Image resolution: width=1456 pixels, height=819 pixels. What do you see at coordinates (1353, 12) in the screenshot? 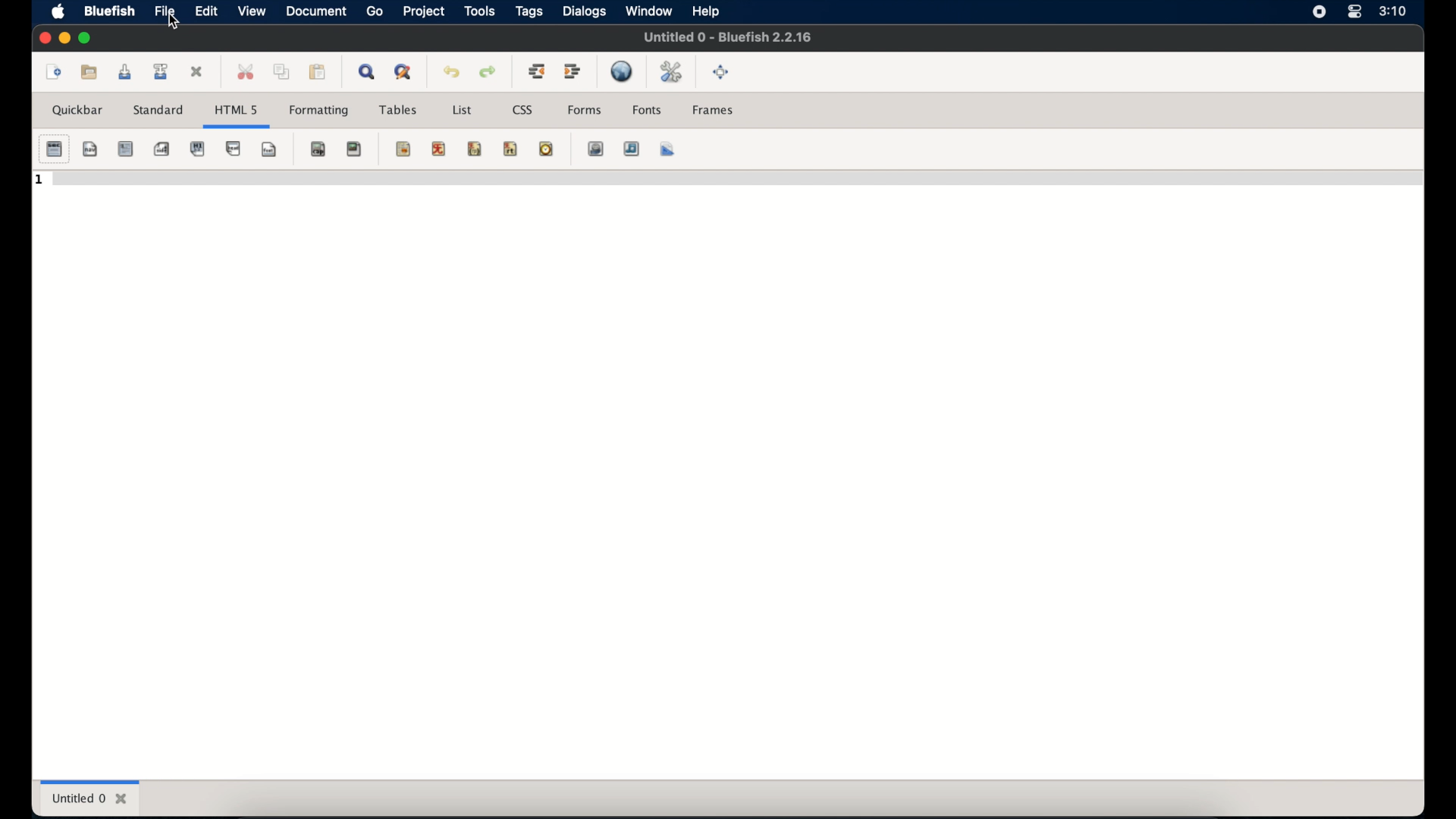
I see `control center` at bounding box center [1353, 12].